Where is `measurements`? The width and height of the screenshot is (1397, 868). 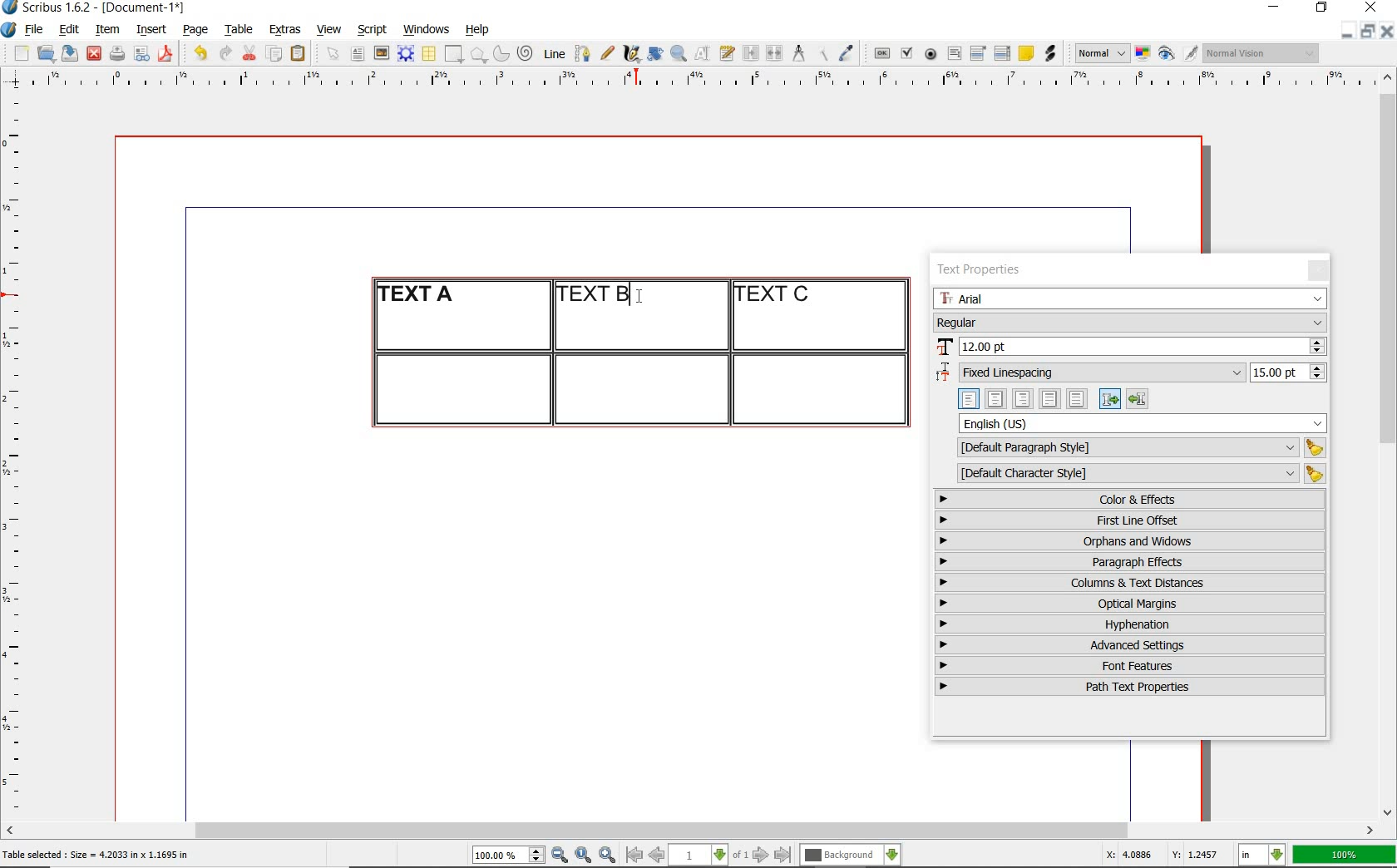
measurements is located at coordinates (798, 54).